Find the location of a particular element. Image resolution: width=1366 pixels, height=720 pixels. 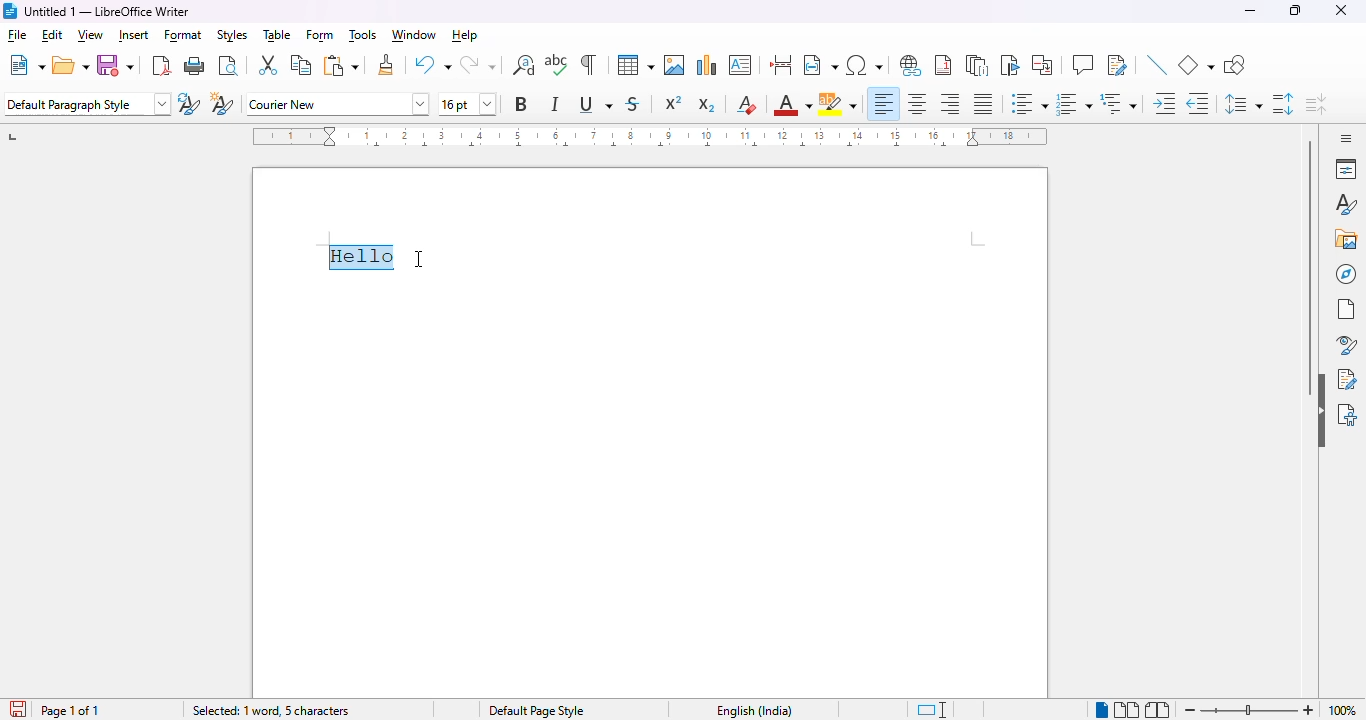

insert endnote is located at coordinates (978, 64).